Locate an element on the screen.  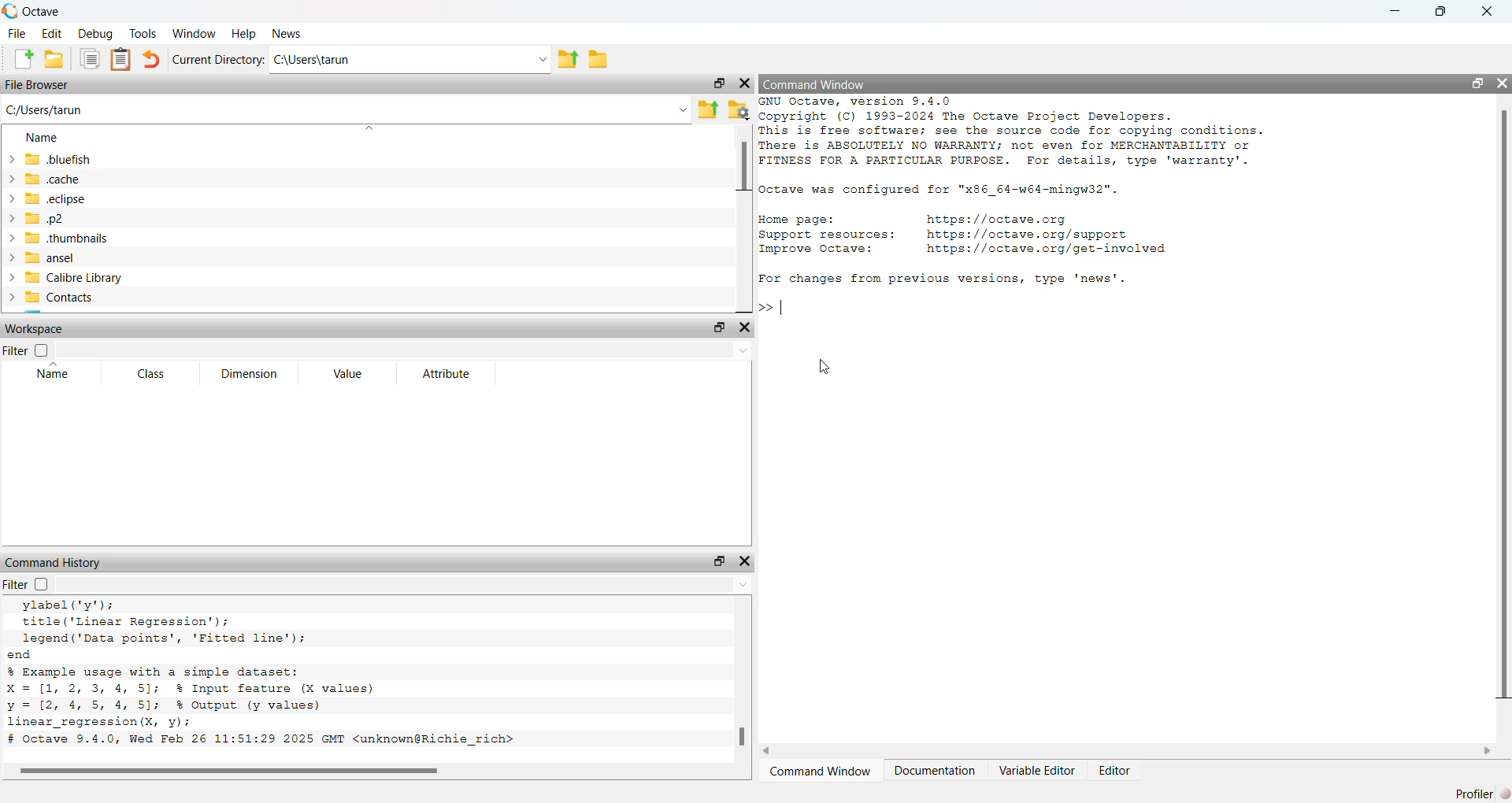
browse your files is located at coordinates (739, 111).